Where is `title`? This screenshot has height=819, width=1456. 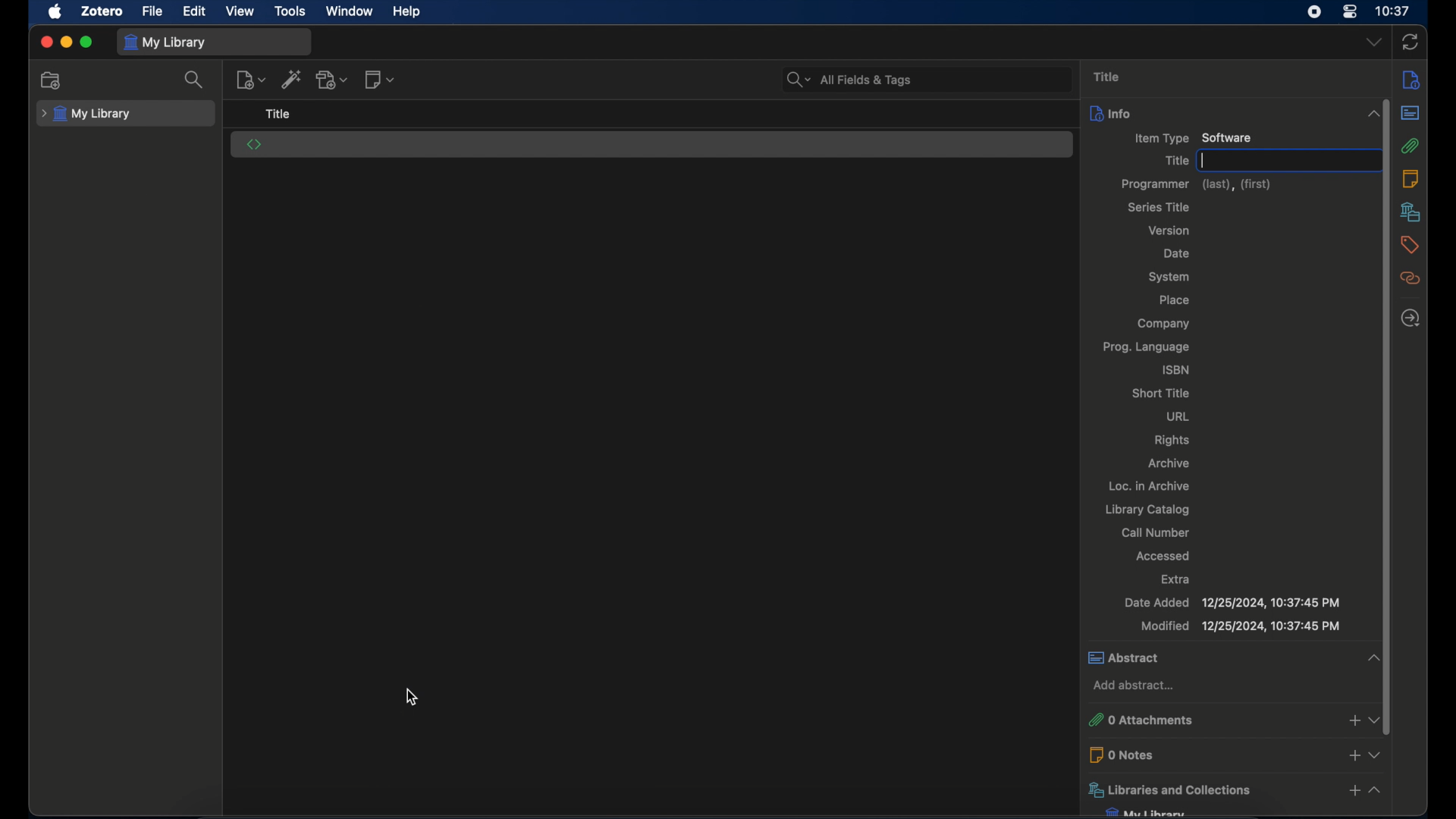 title is located at coordinates (1107, 77).